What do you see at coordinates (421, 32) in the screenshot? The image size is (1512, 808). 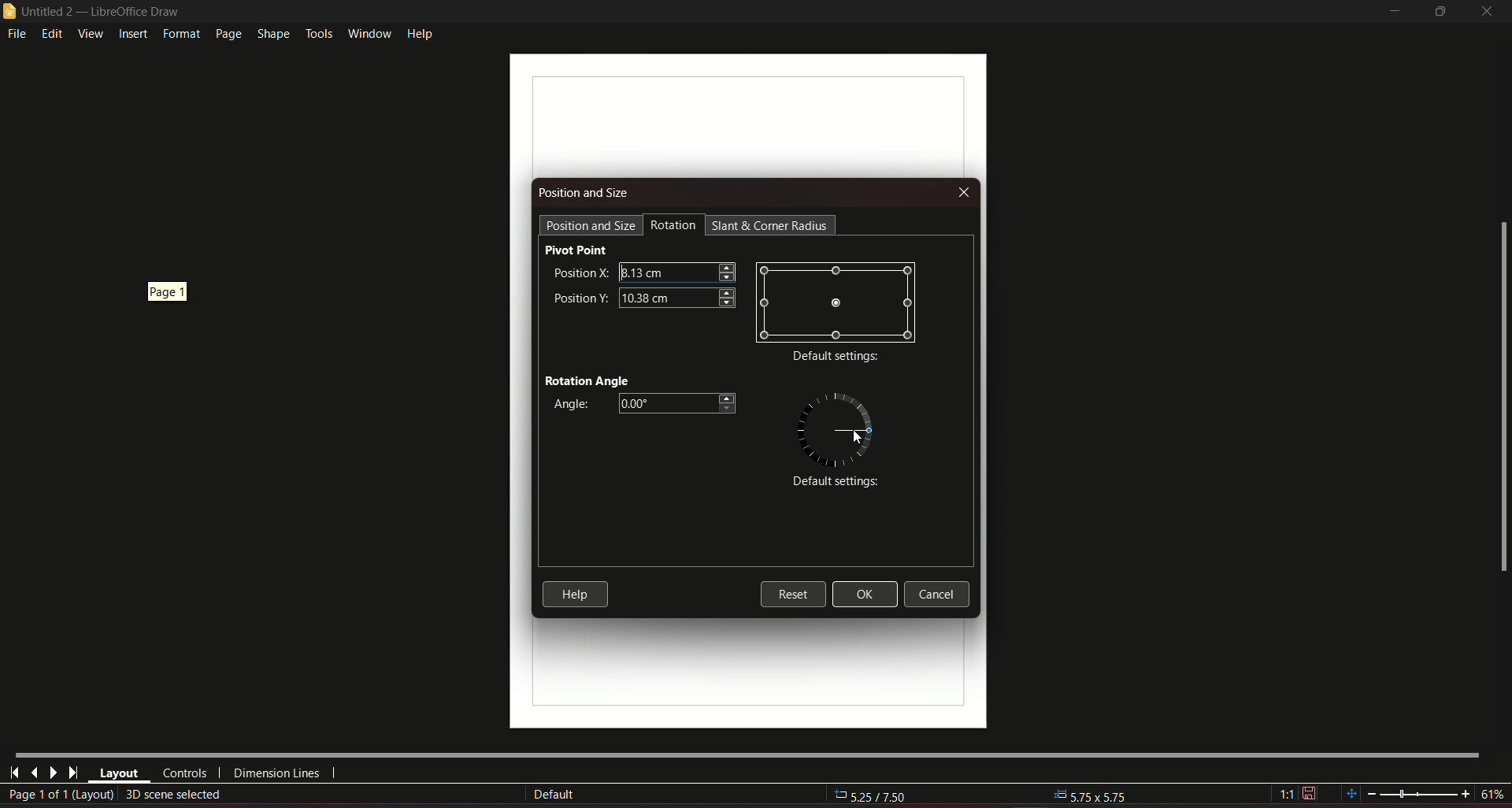 I see `help` at bounding box center [421, 32].